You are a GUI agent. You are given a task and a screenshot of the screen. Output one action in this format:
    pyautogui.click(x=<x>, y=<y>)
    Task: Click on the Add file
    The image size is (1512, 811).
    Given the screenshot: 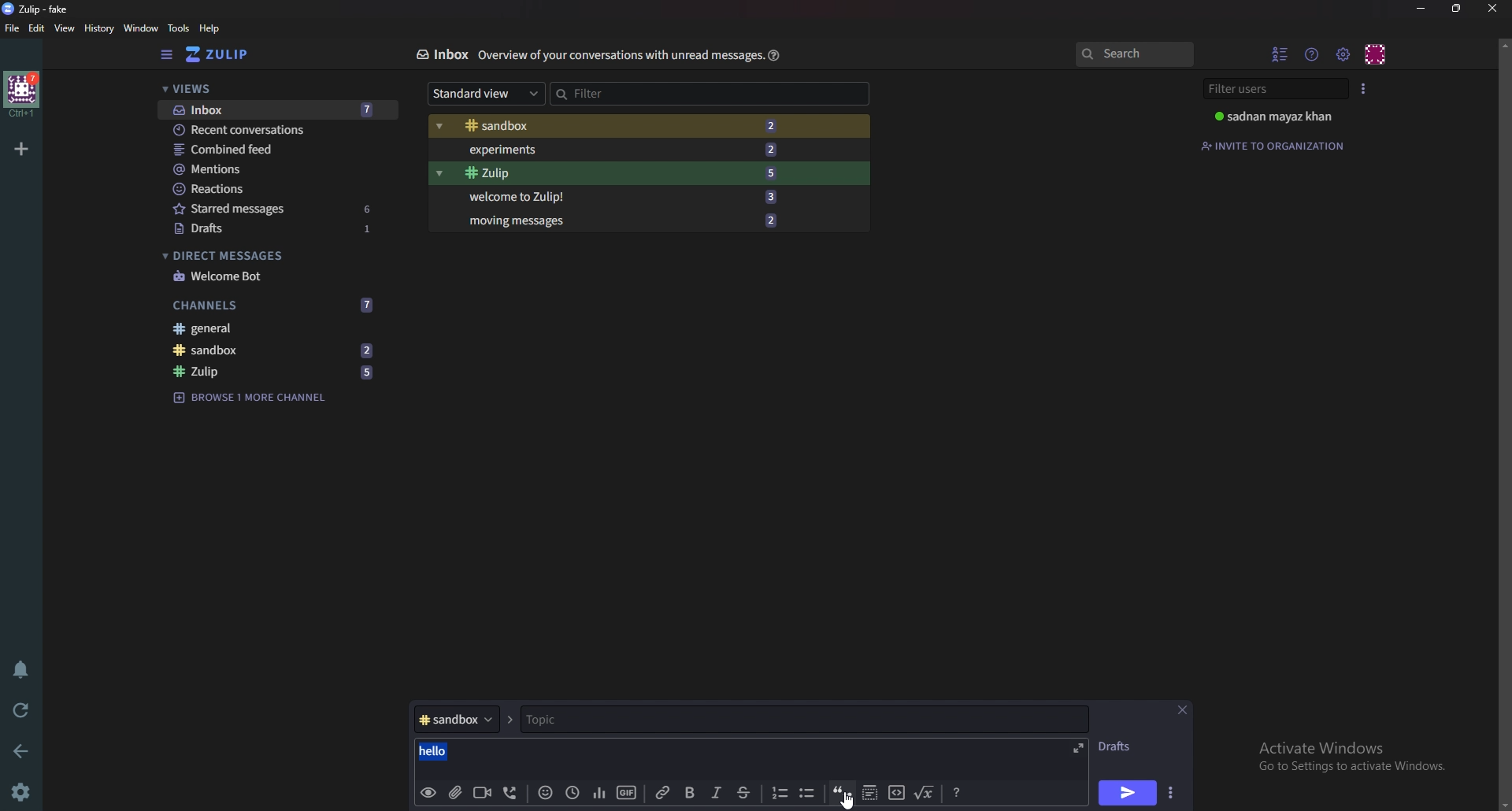 What is the action you would take?
    pyautogui.click(x=455, y=791)
    